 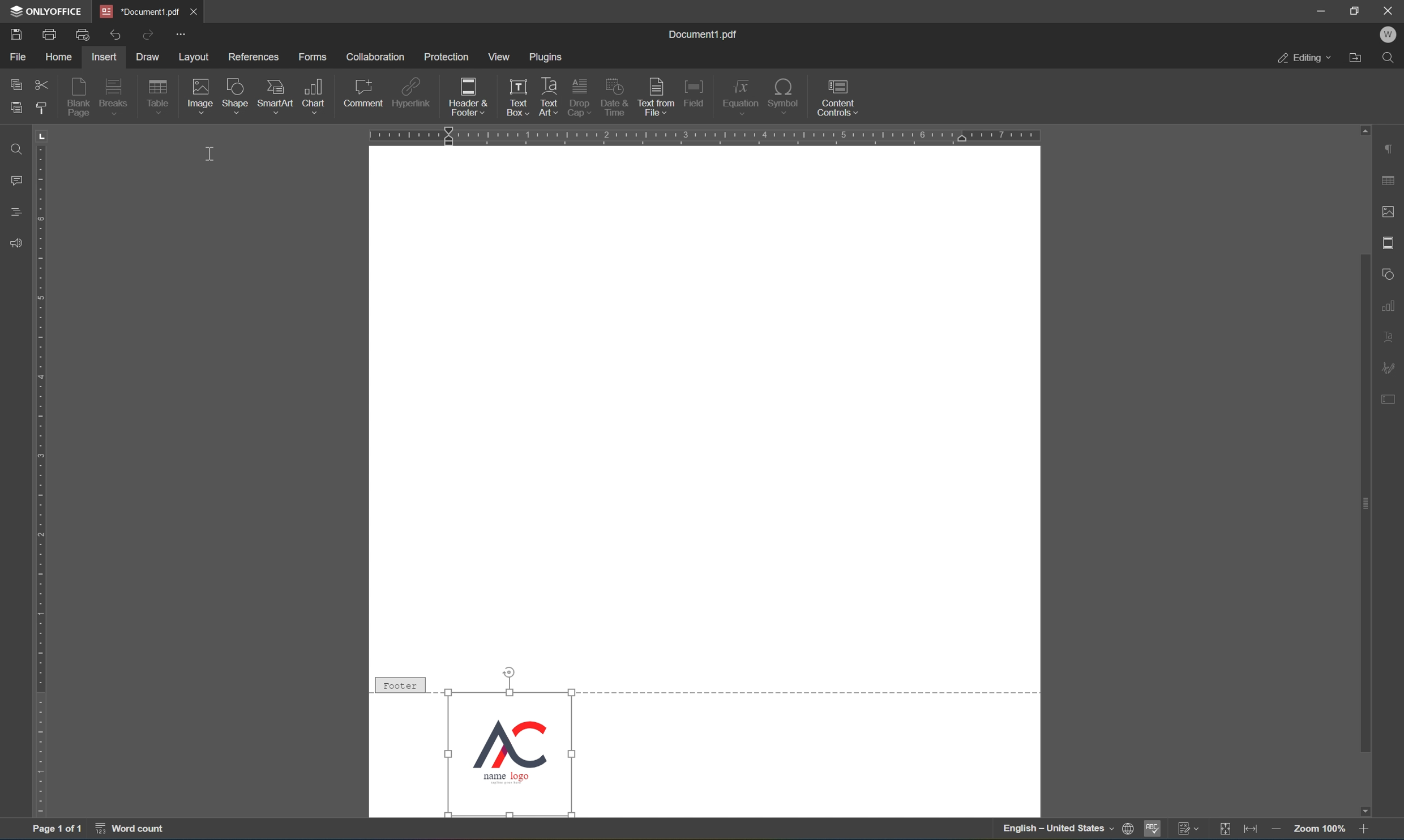 I want to click on zoom 100%, so click(x=1318, y=829).